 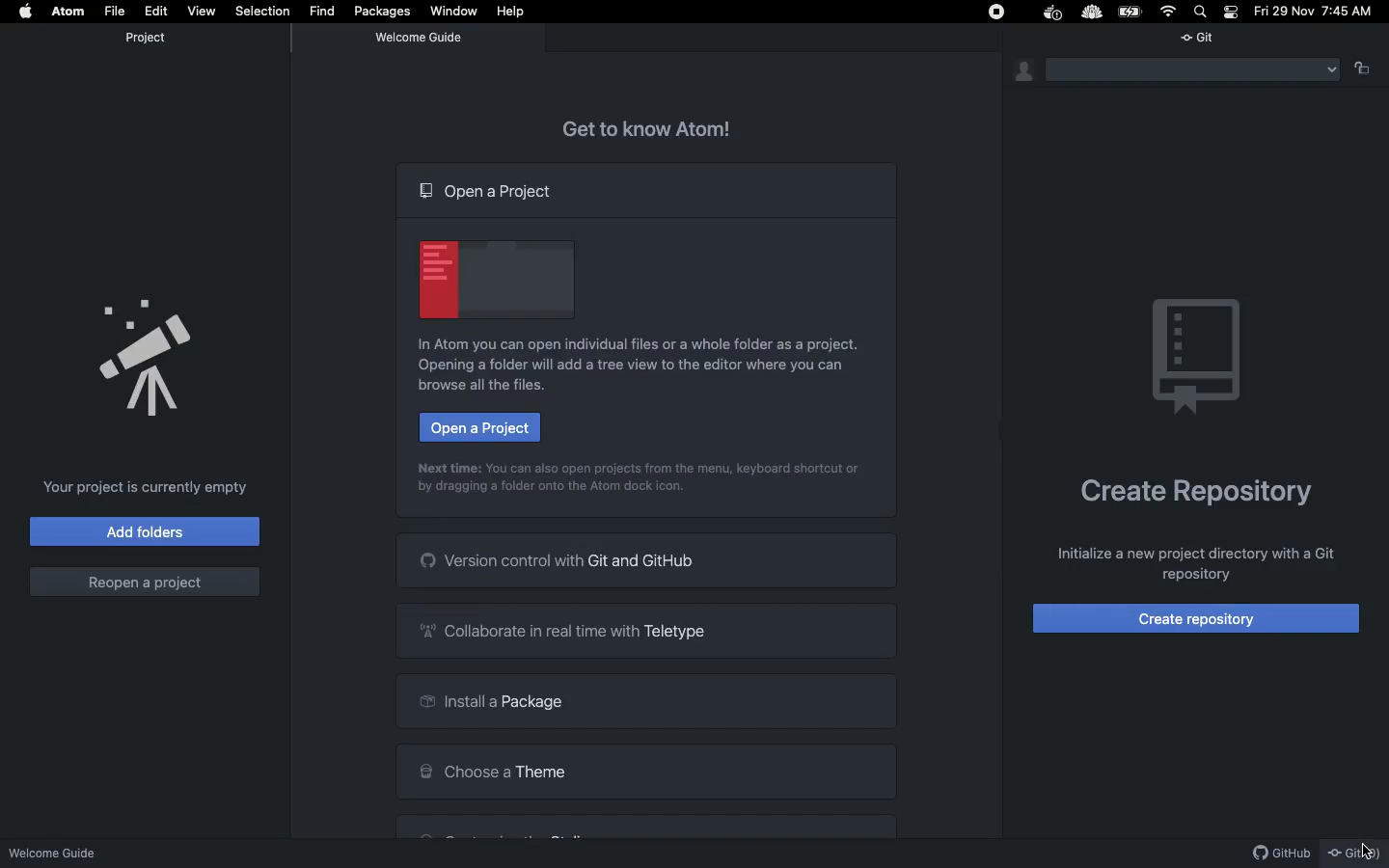 What do you see at coordinates (1355, 850) in the screenshot?
I see `Git (0)` at bounding box center [1355, 850].